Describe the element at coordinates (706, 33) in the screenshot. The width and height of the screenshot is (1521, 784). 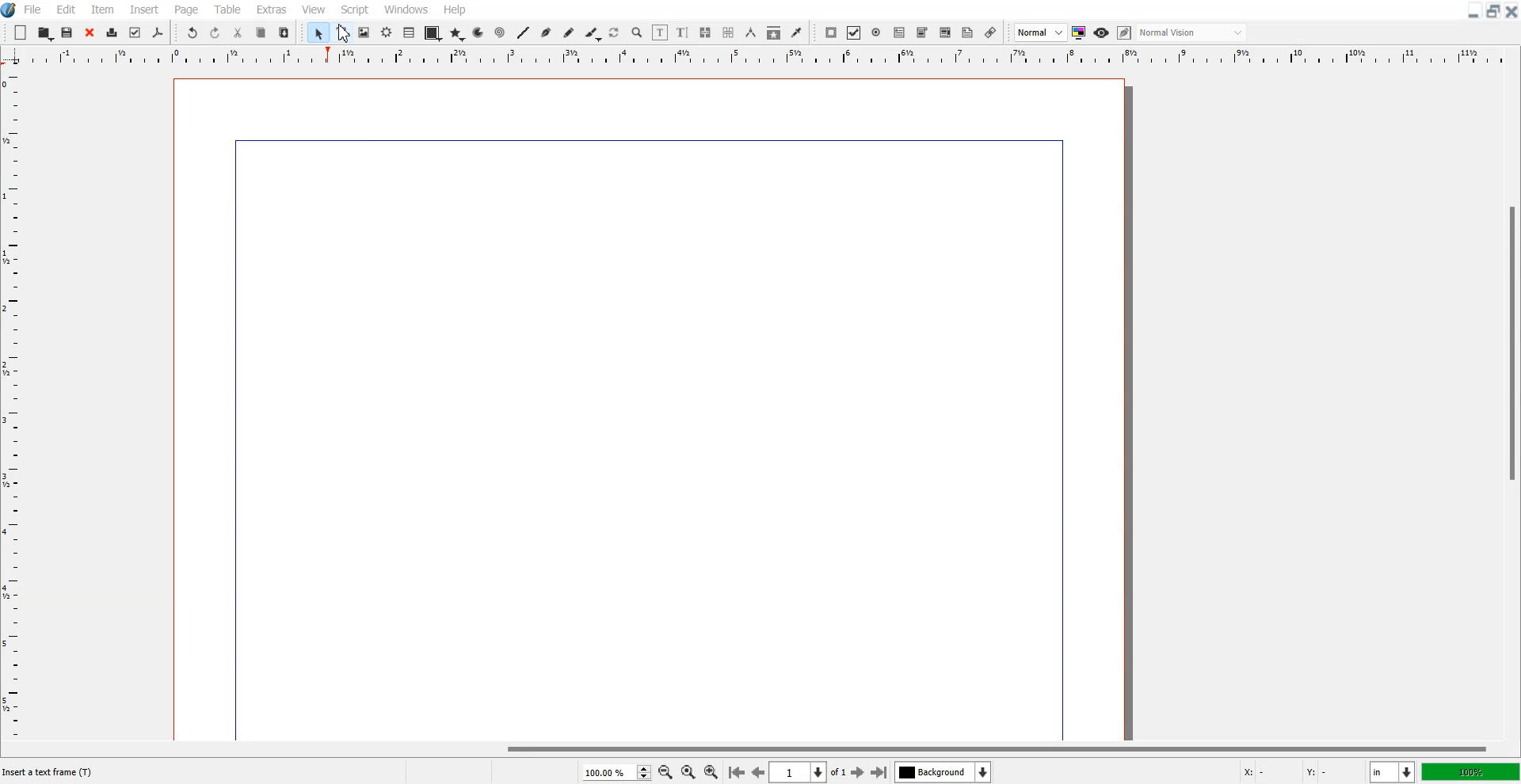
I see `Link text frame` at that location.